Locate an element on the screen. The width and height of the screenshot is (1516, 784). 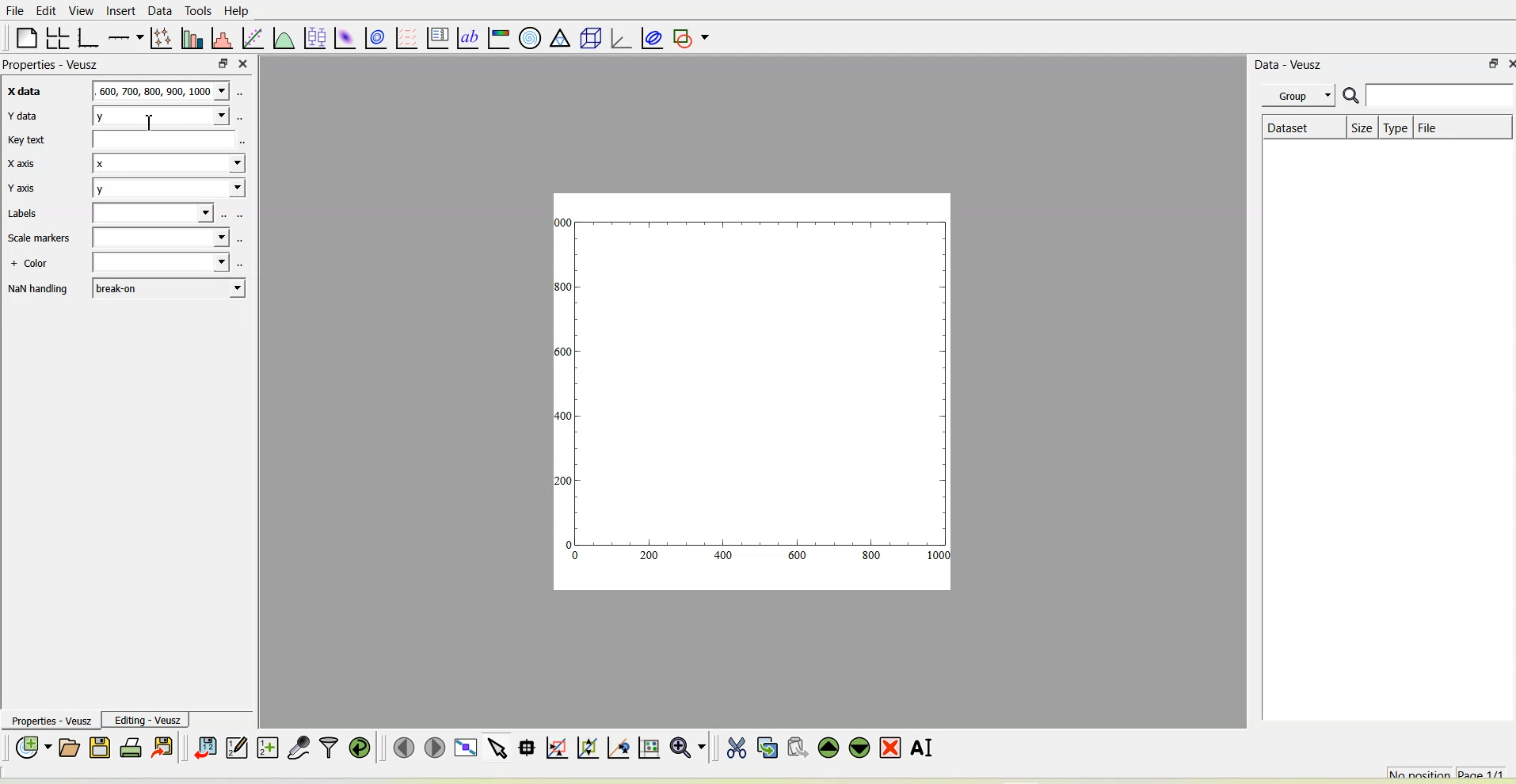
300 is located at coordinates (565, 286).